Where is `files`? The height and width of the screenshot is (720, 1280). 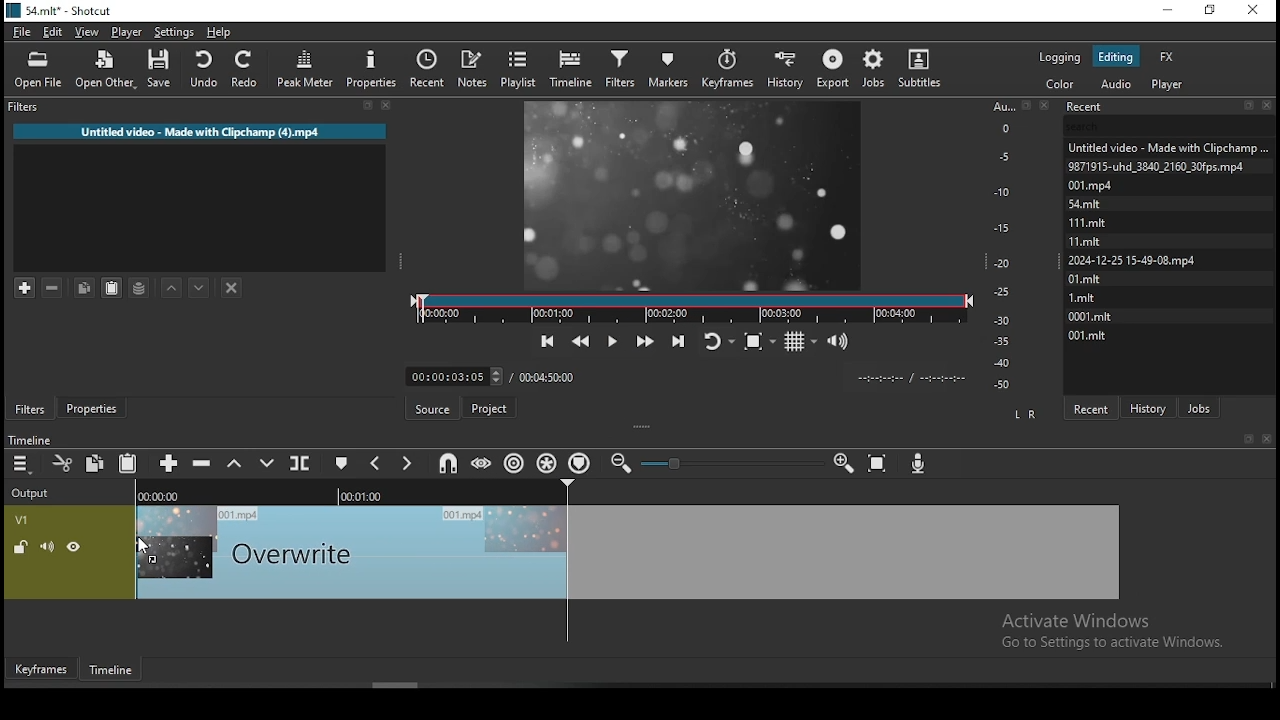 files is located at coordinates (1085, 280).